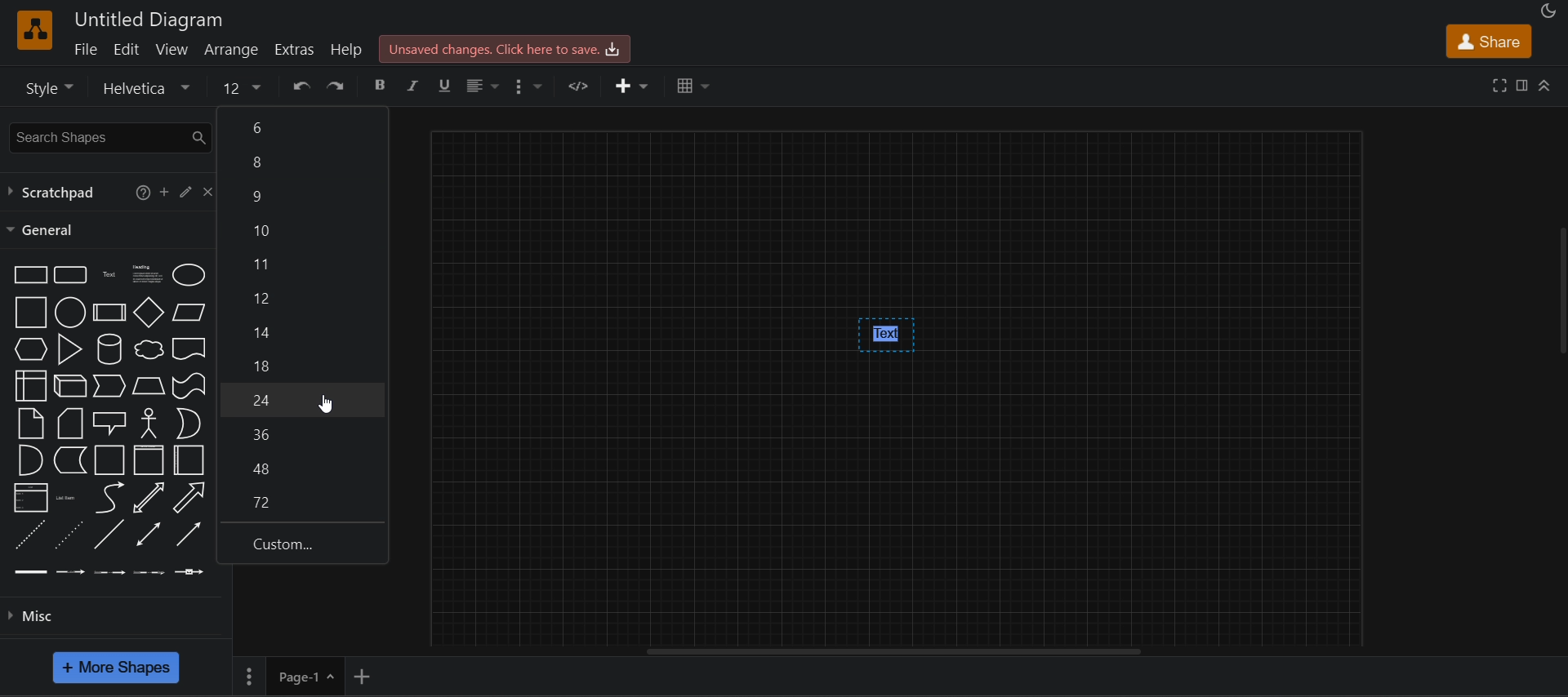  Describe the element at coordinates (116, 668) in the screenshot. I see `more shapes` at that location.